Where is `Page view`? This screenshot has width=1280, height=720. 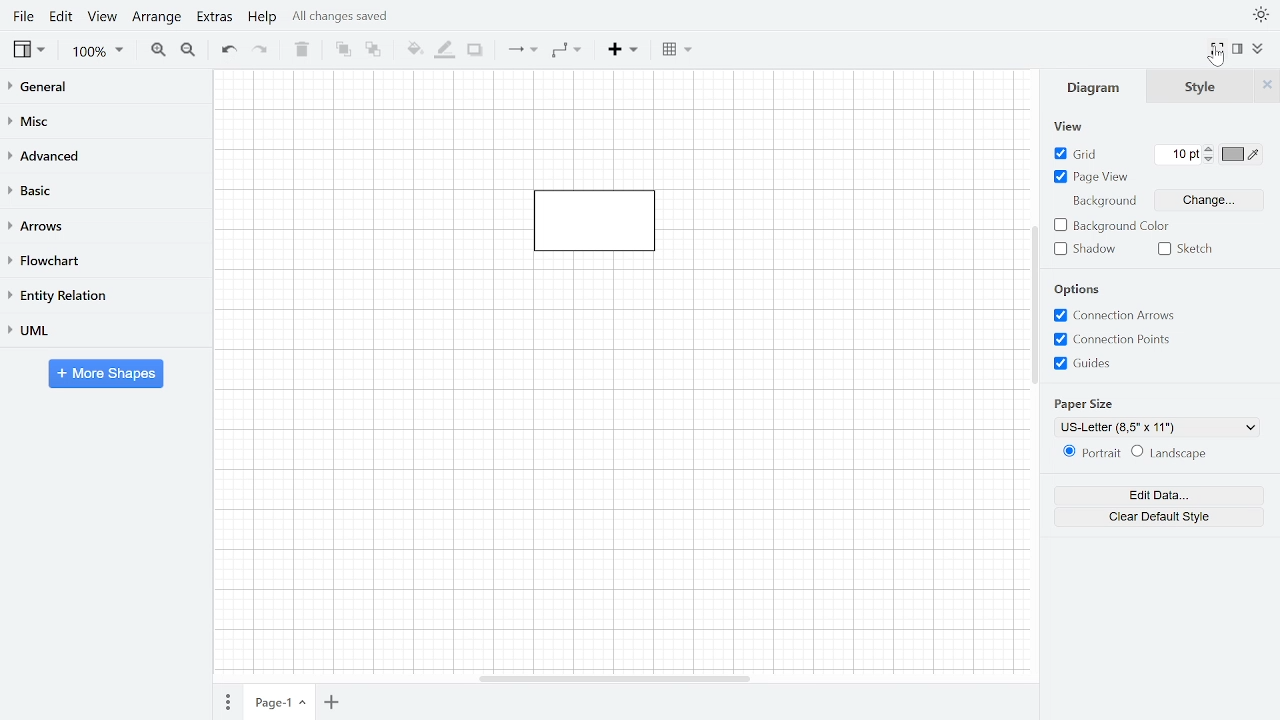
Page view is located at coordinates (1094, 178).